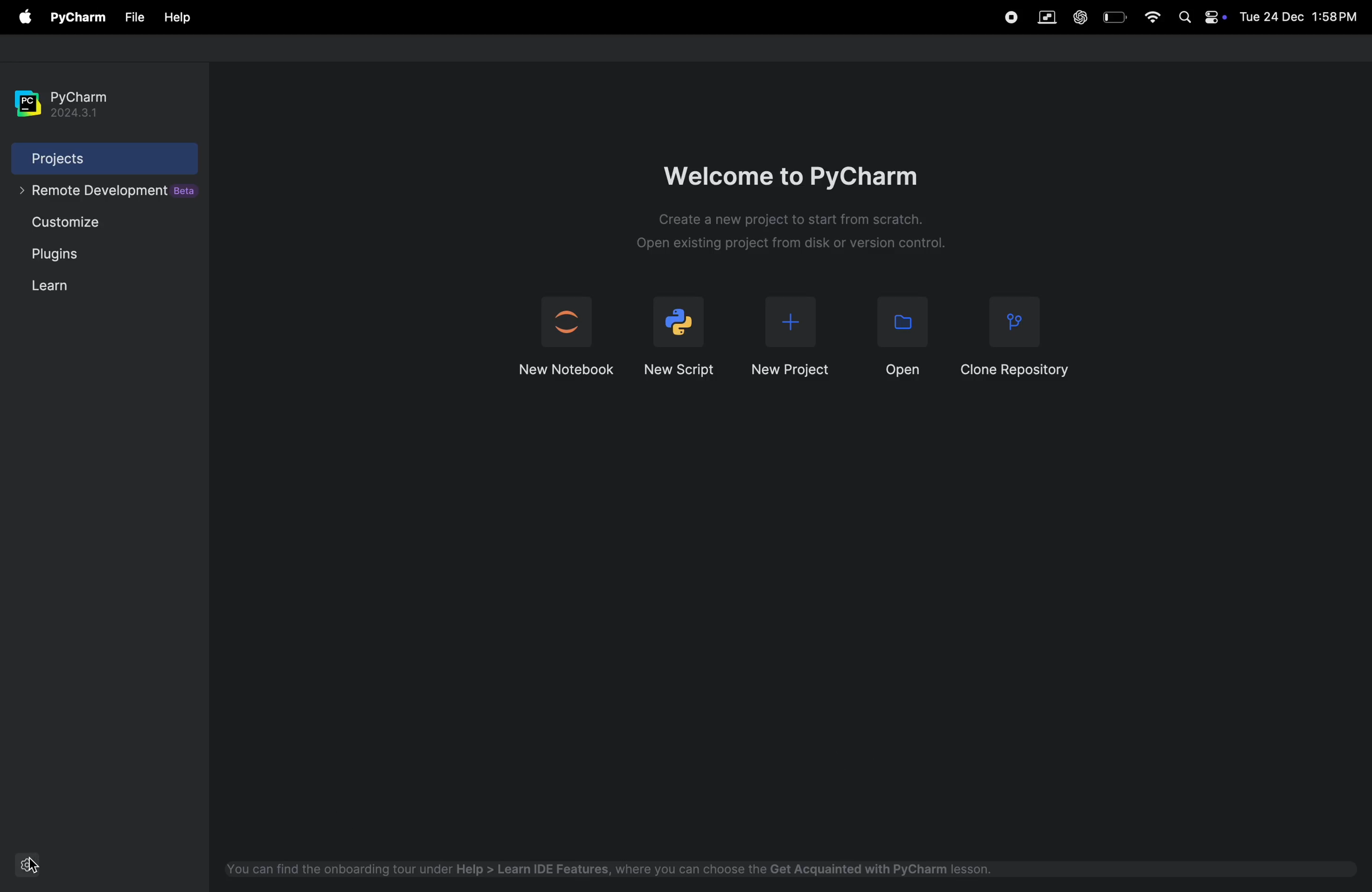 The height and width of the screenshot is (892, 1372). Describe the element at coordinates (104, 195) in the screenshot. I see `remote development` at that location.